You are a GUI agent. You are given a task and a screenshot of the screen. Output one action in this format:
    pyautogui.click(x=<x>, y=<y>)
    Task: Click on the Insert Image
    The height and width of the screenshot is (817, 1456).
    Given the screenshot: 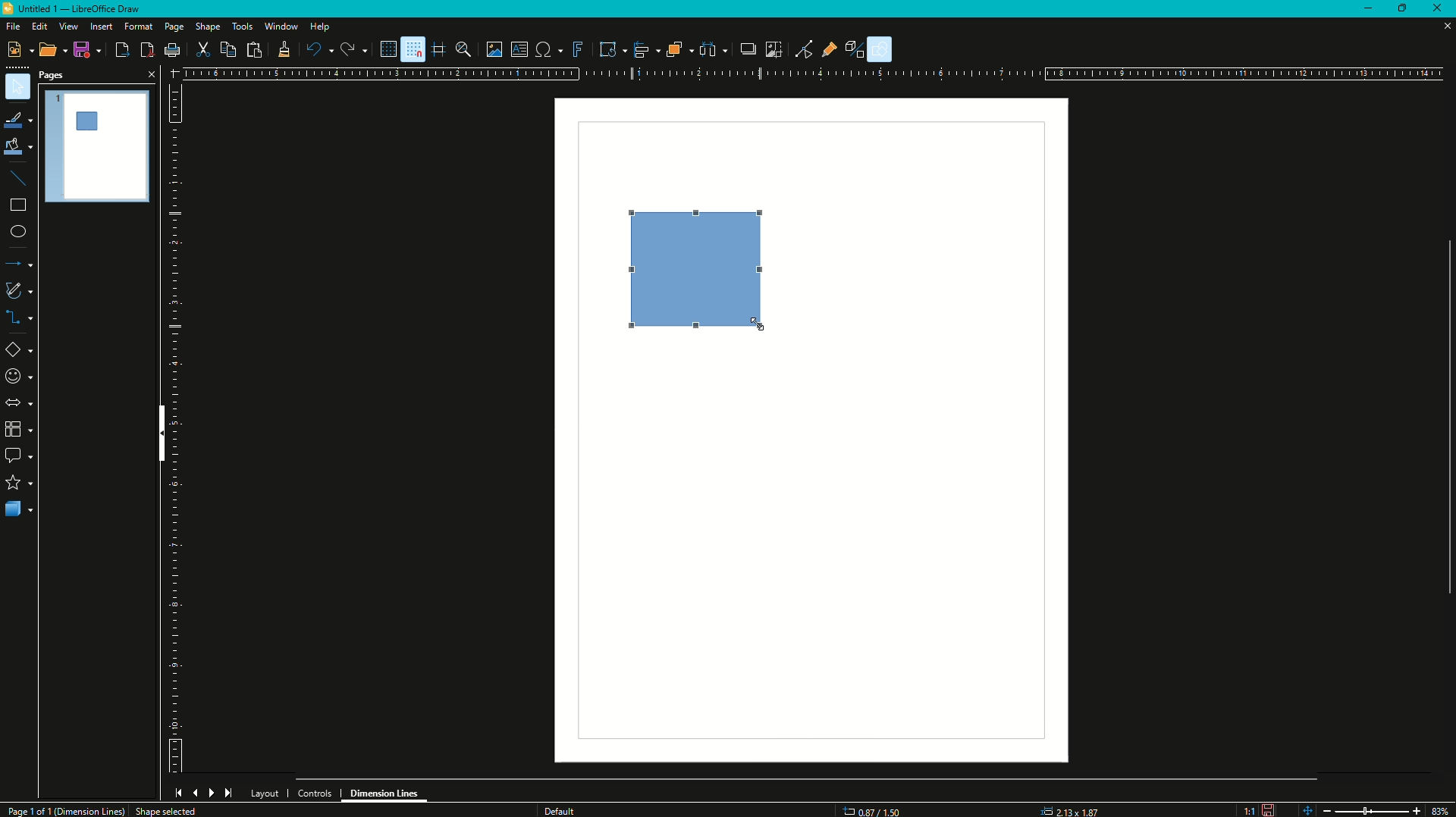 What is the action you would take?
    pyautogui.click(x=494, y=49)
    